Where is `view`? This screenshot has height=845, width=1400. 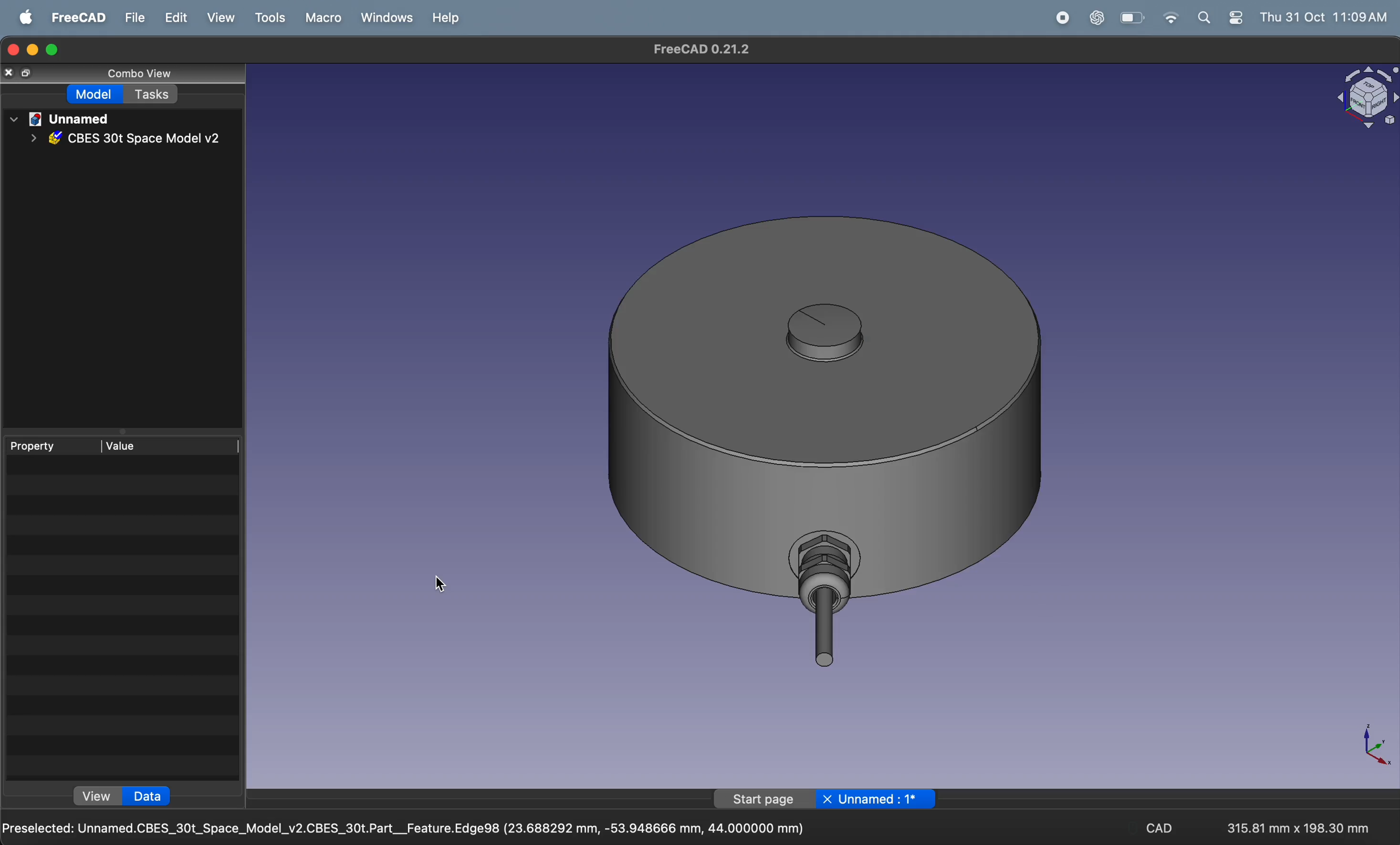 view is located at coordinates (224, 18).